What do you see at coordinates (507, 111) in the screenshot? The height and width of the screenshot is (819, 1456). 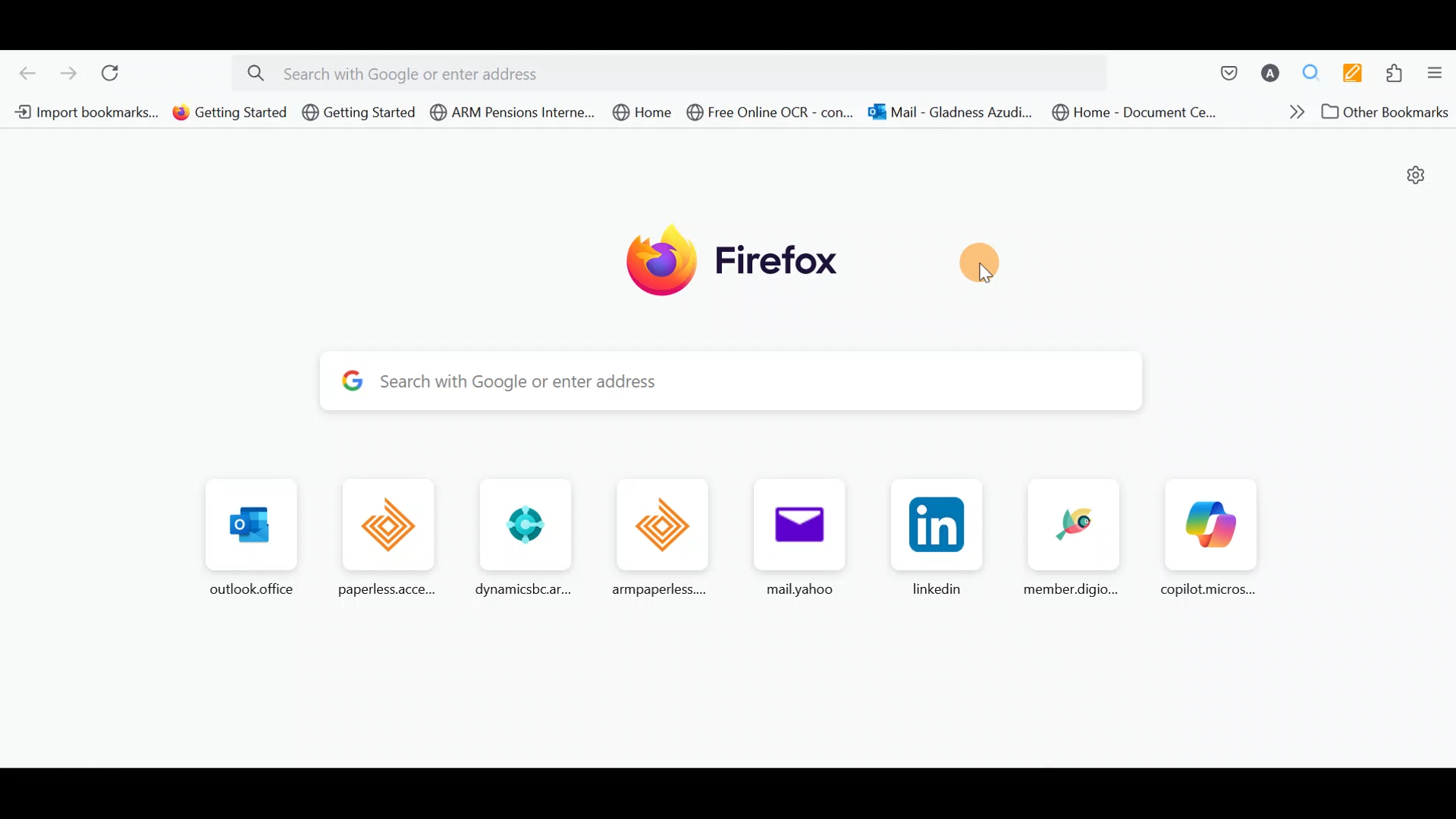 I see `Bookmark 4` at bounding box center [507, 111].